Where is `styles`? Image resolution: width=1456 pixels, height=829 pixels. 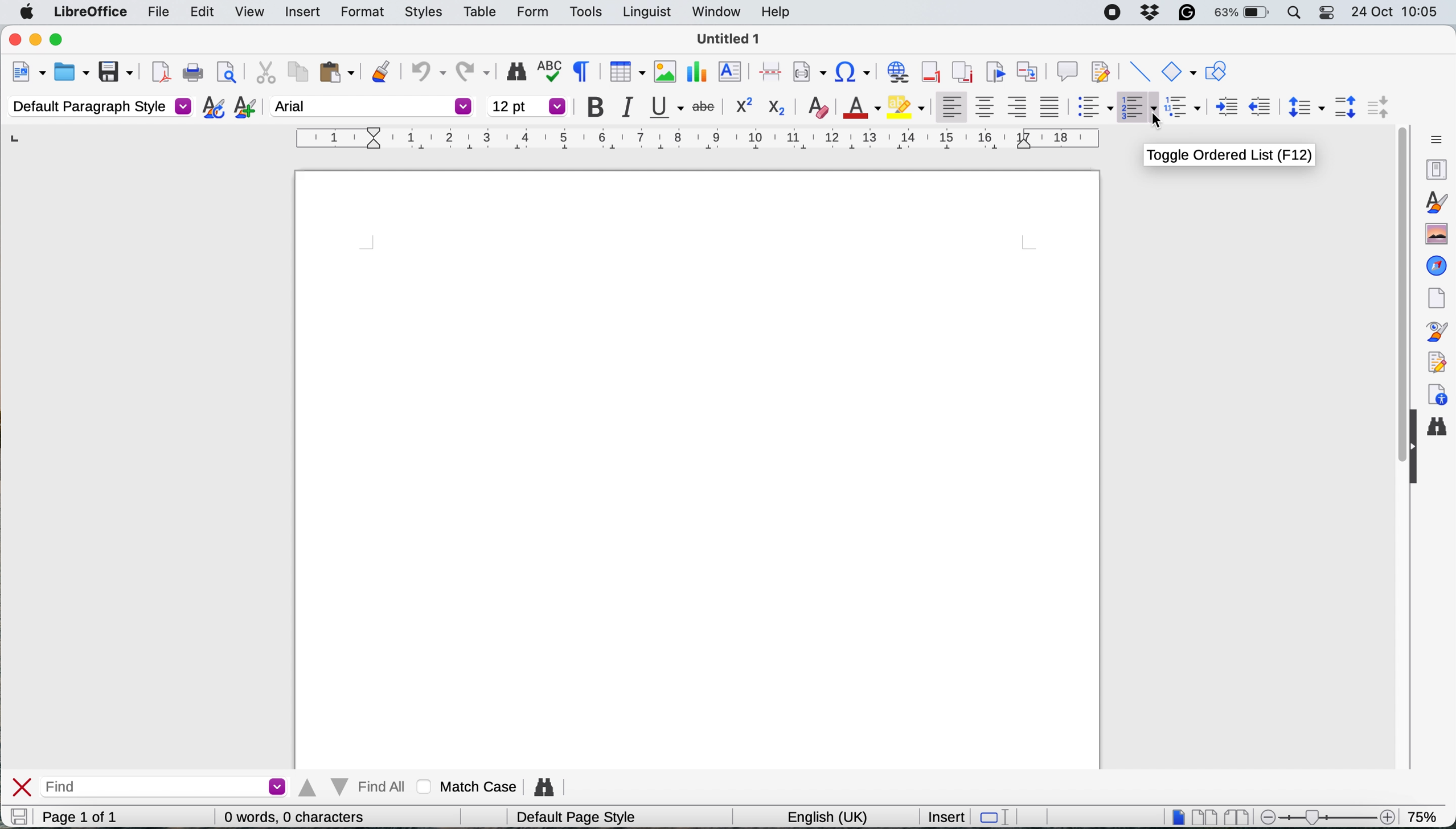 styles is located at coordinates (1434, 200).